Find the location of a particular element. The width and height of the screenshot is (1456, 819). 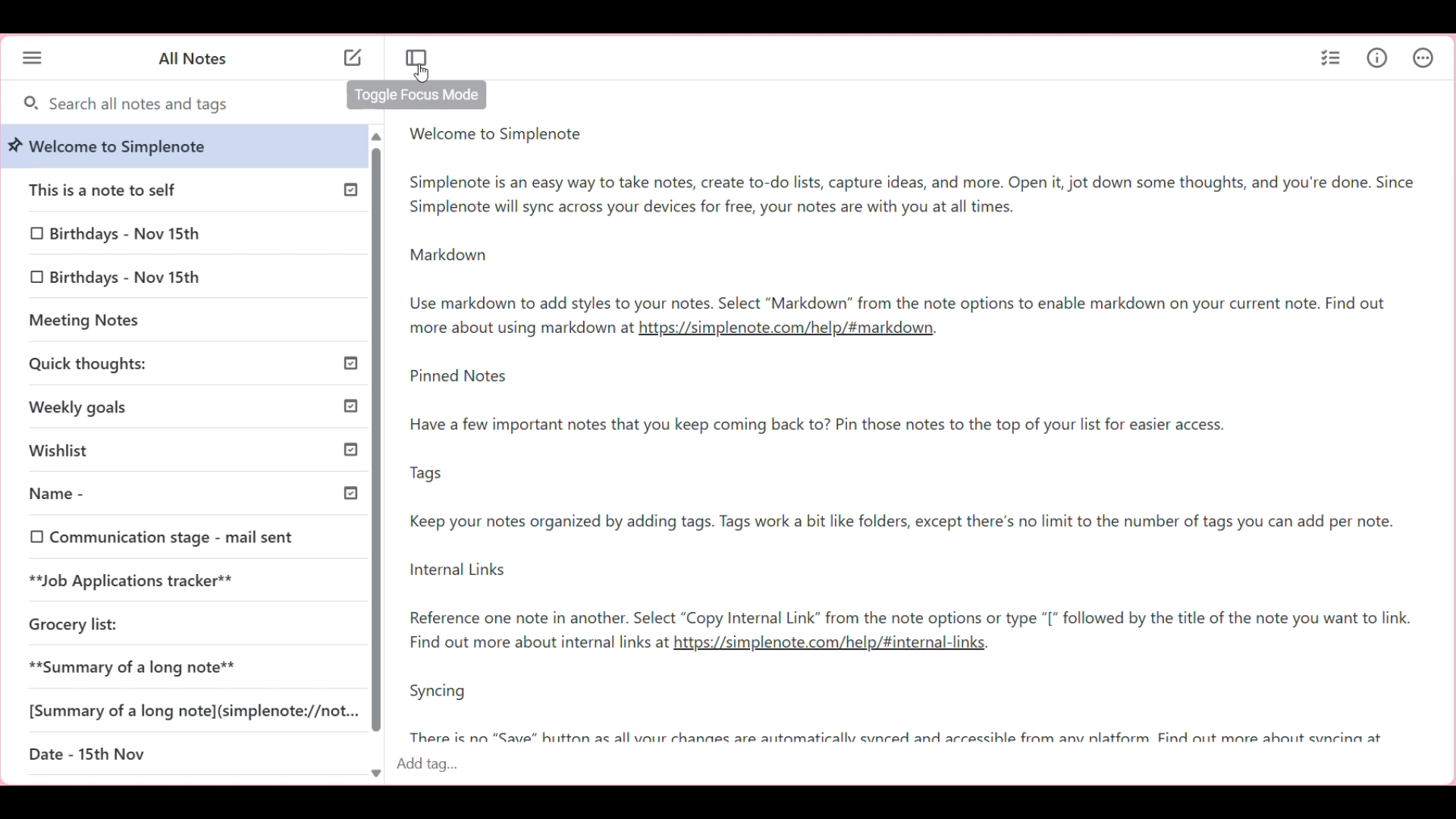

[Summary of a long note](simplenote://not is located at coordinates (193, 708).